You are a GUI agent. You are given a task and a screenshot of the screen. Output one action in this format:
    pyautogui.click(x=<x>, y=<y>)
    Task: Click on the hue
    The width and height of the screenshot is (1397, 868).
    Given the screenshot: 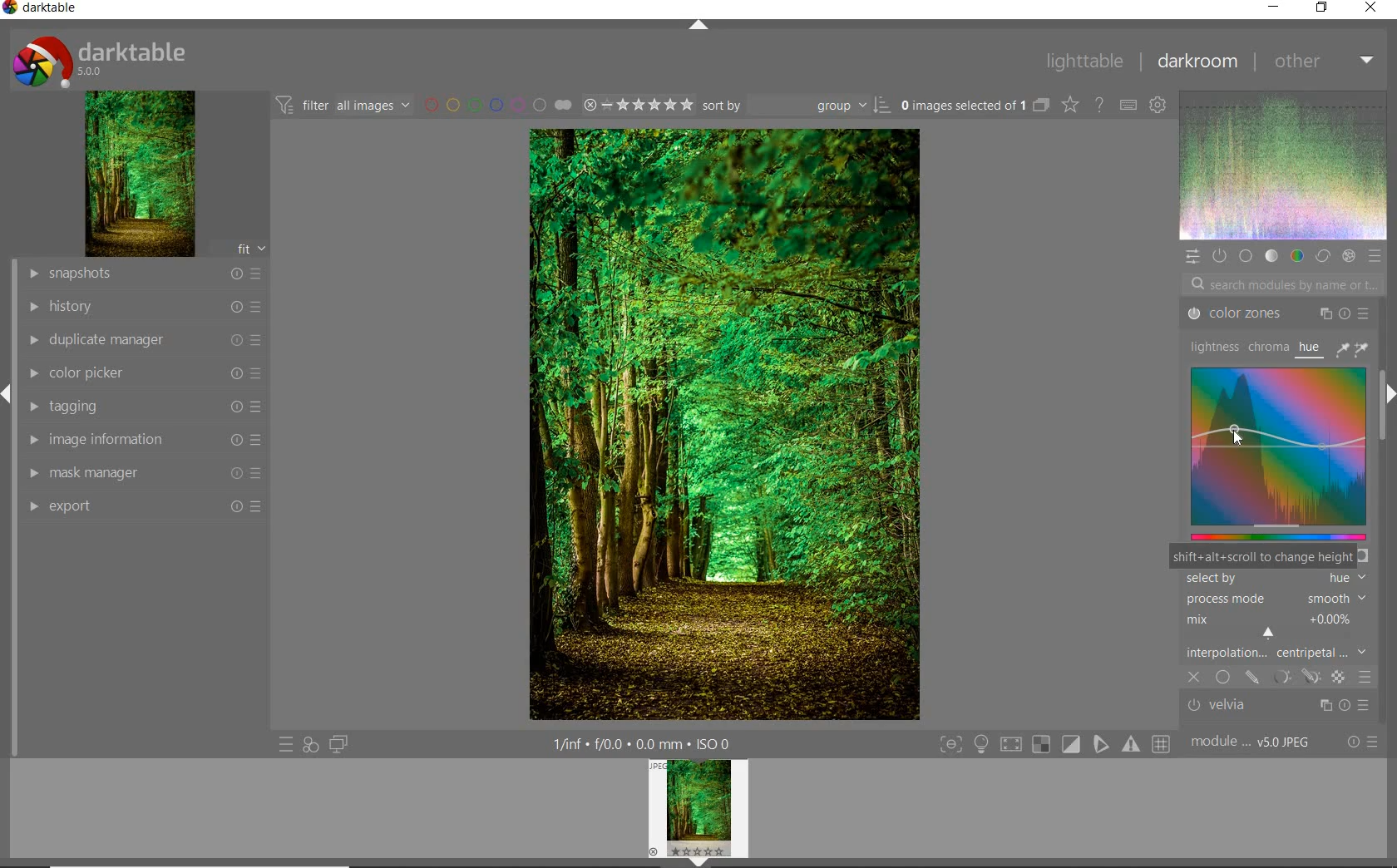 What is the action you would take?
    pyautogui.click(x=1311, y=347)
    